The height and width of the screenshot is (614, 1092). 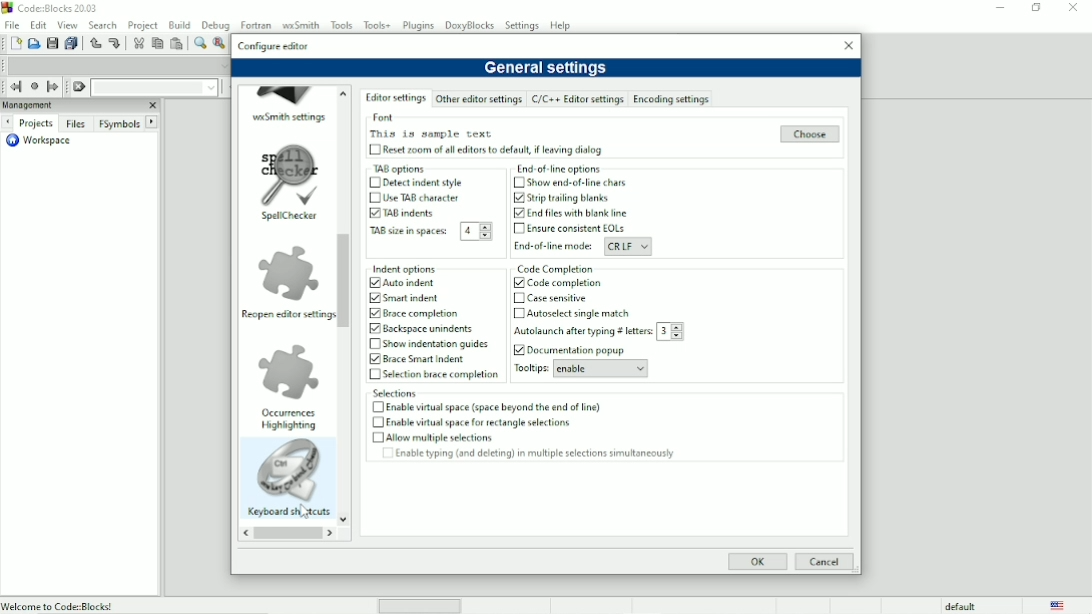 What do you see at coordinates (152, 105) in the screenshot?
I see `Close` at bounding box center [152, 105].